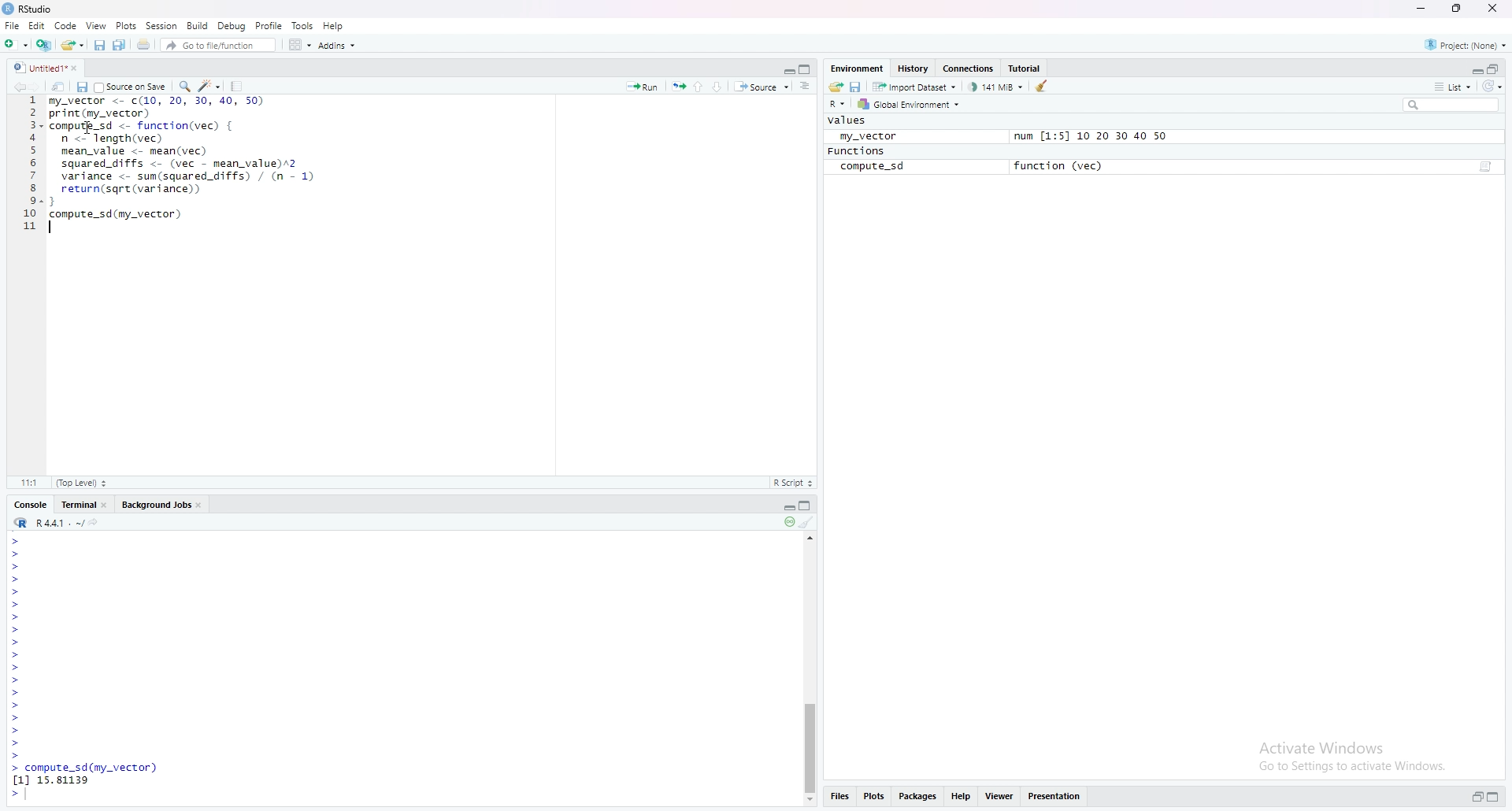  I want to click on prompt cursor, so click(13, 617).